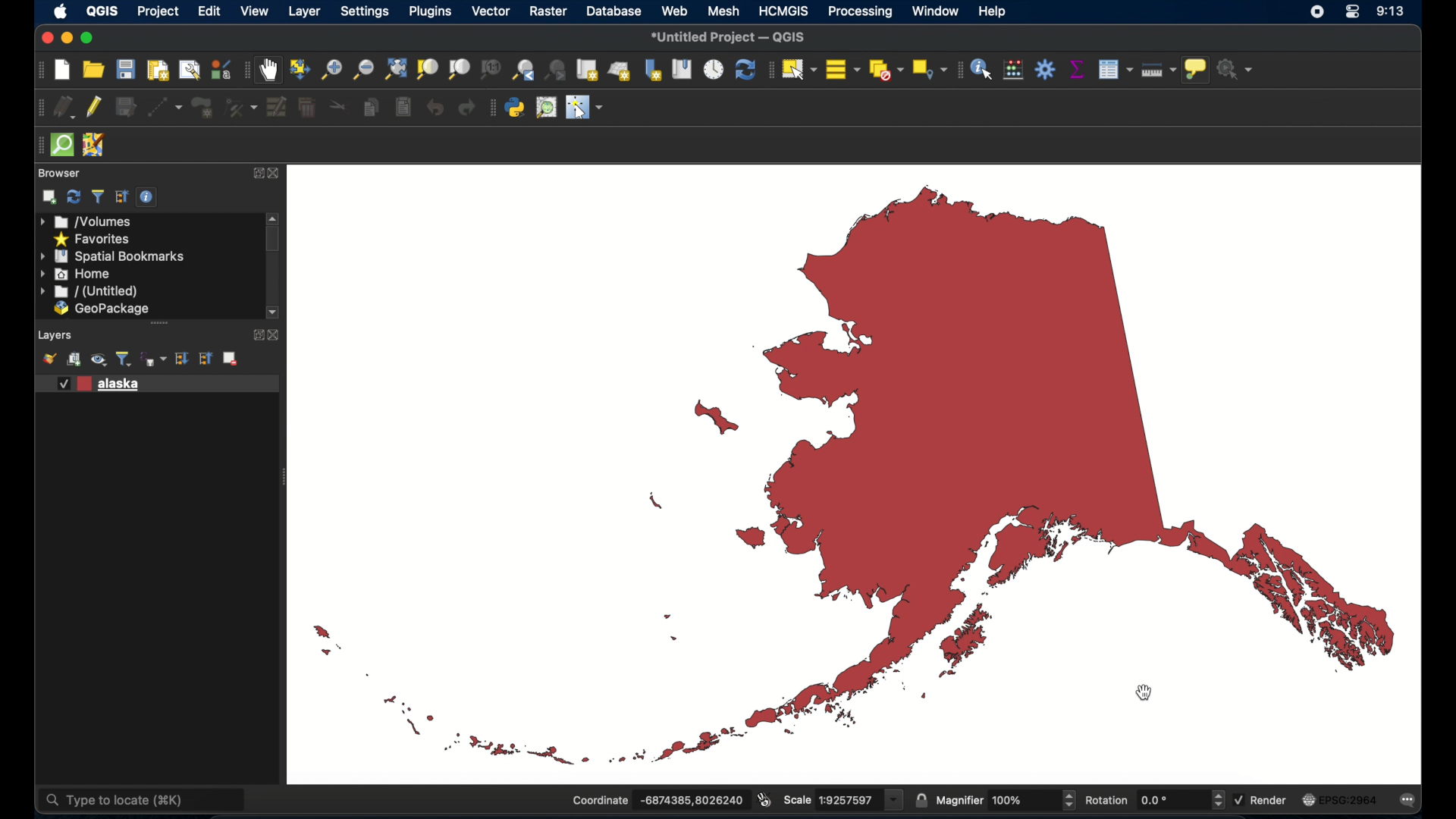 This screenshot has width=1456, height=819. Describe the element at coordinates (886, 67) in the screenshot. I see `deselect features` at that location.